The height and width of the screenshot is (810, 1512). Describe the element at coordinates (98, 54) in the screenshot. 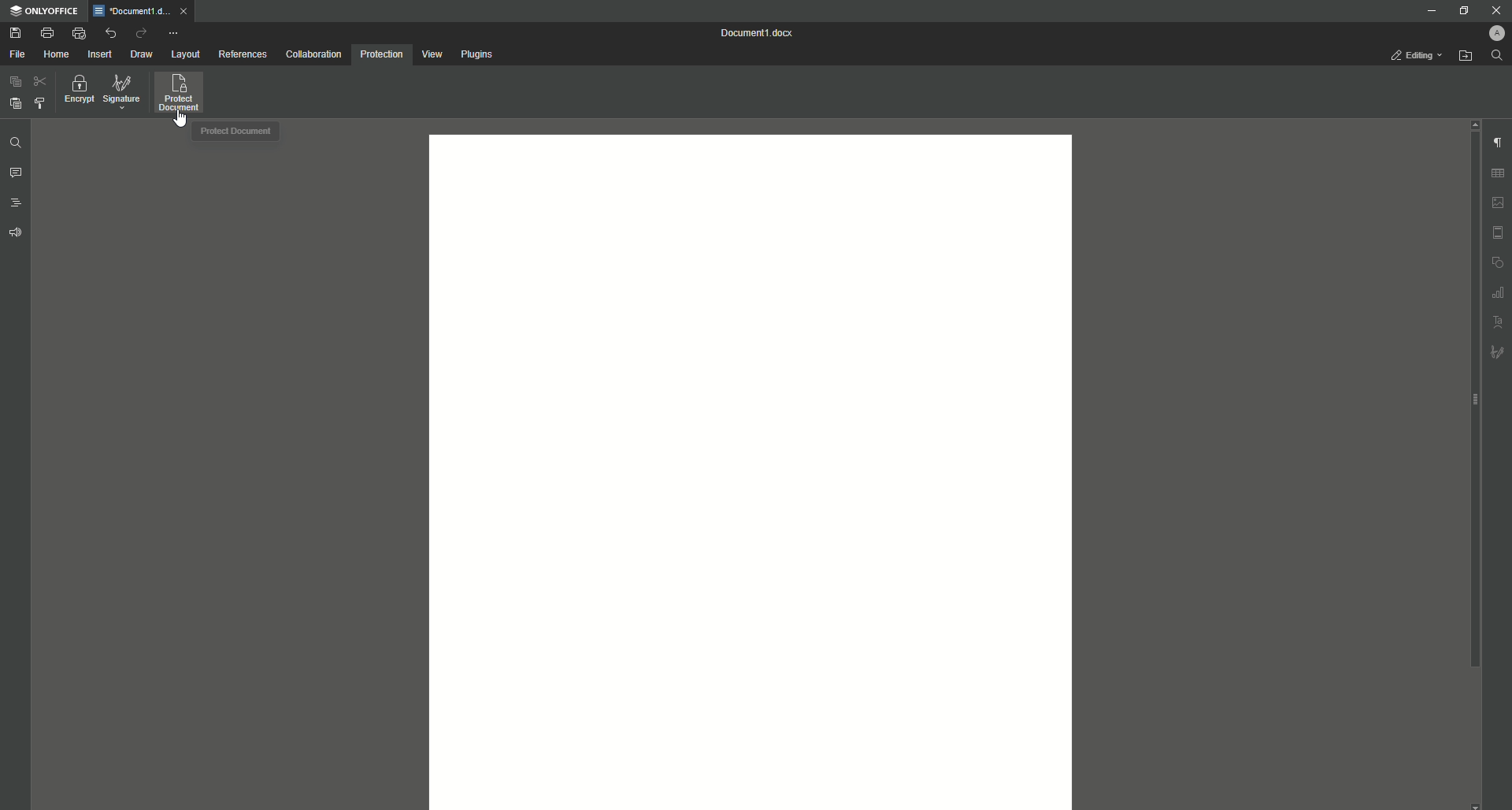

I see `Insert` at that location.